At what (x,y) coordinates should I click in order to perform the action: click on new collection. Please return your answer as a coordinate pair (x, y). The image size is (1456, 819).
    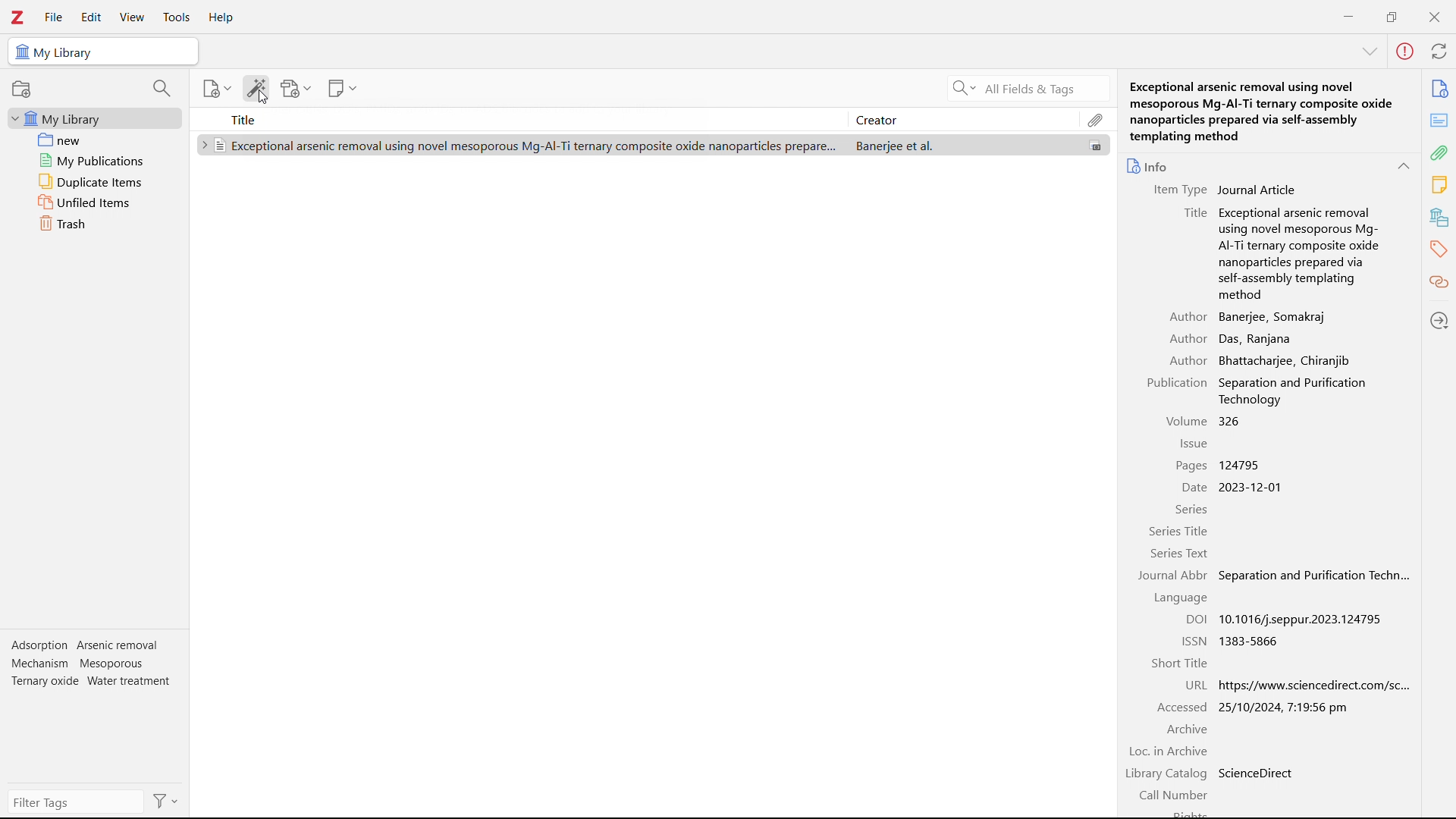
    Looking at the image, I should click on (21, 89).